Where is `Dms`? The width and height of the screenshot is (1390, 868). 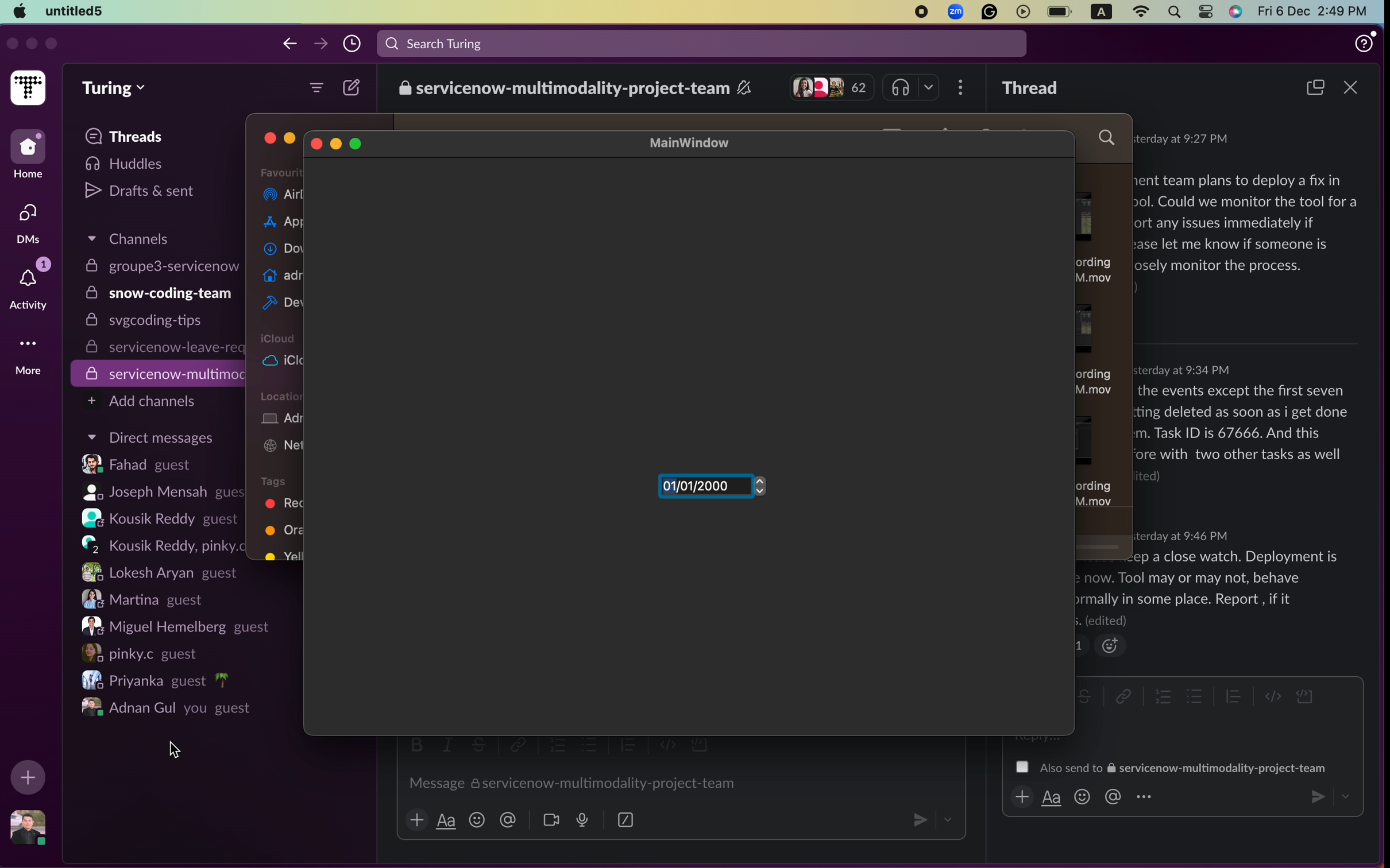
Dms is located at coordinates (30, 222).